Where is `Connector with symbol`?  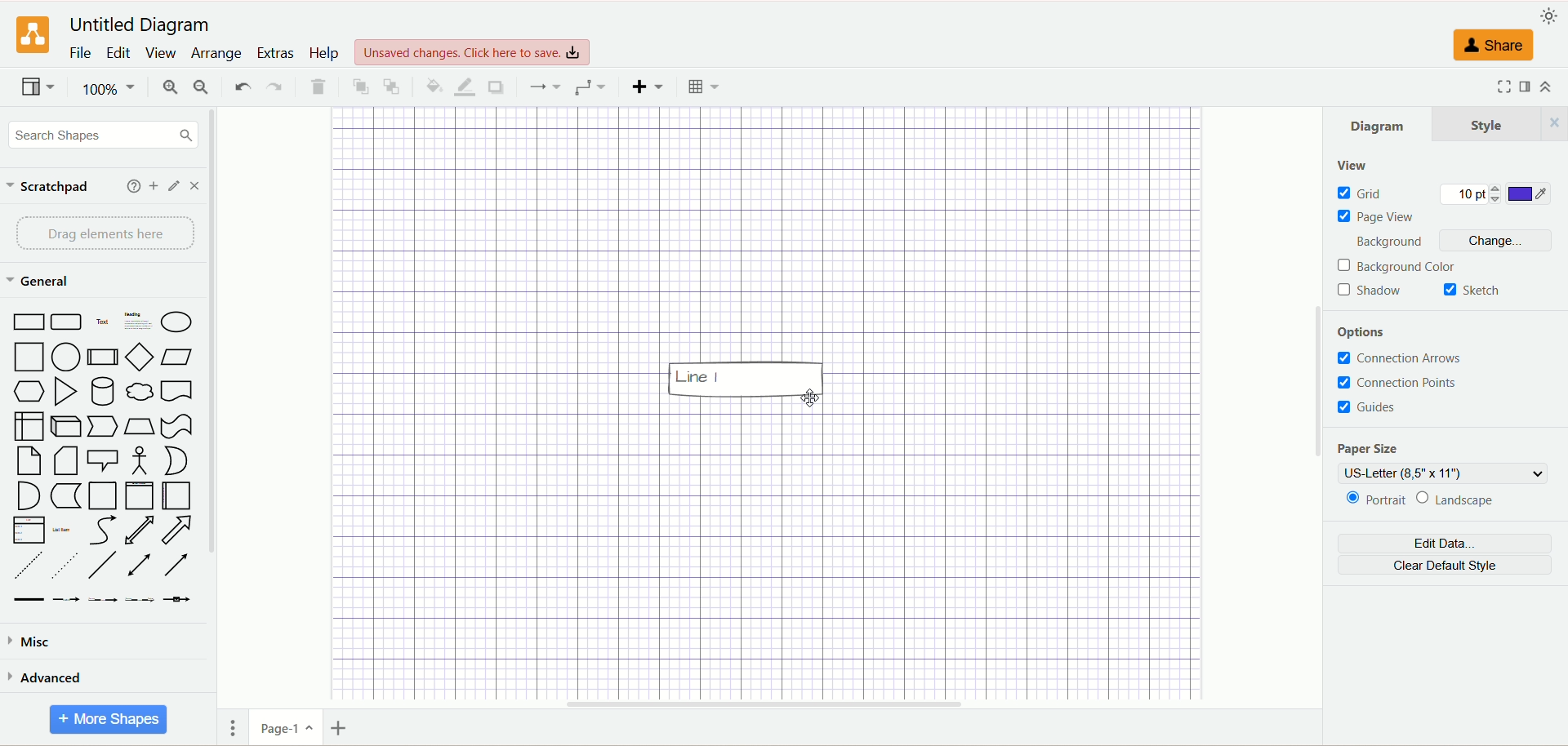 Connector with symbol is located at coordinates (176, 600).